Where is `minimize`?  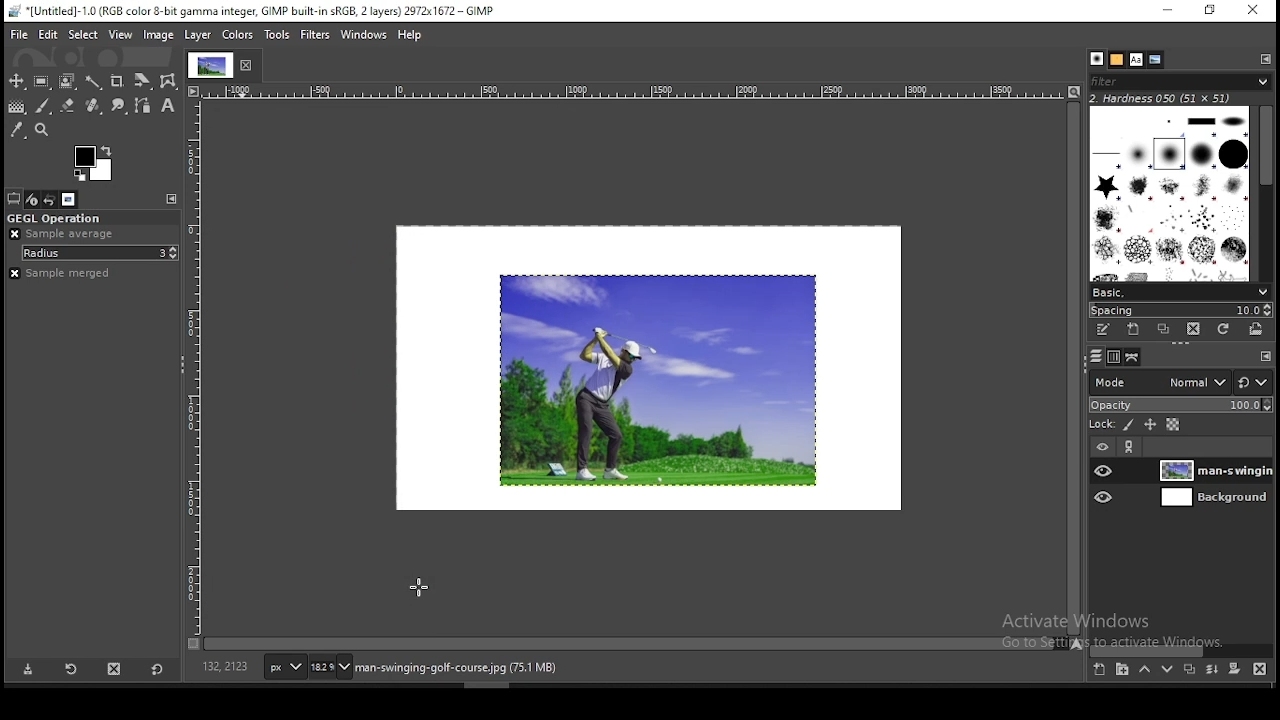
minimize is located at coordinates (1171, 10).